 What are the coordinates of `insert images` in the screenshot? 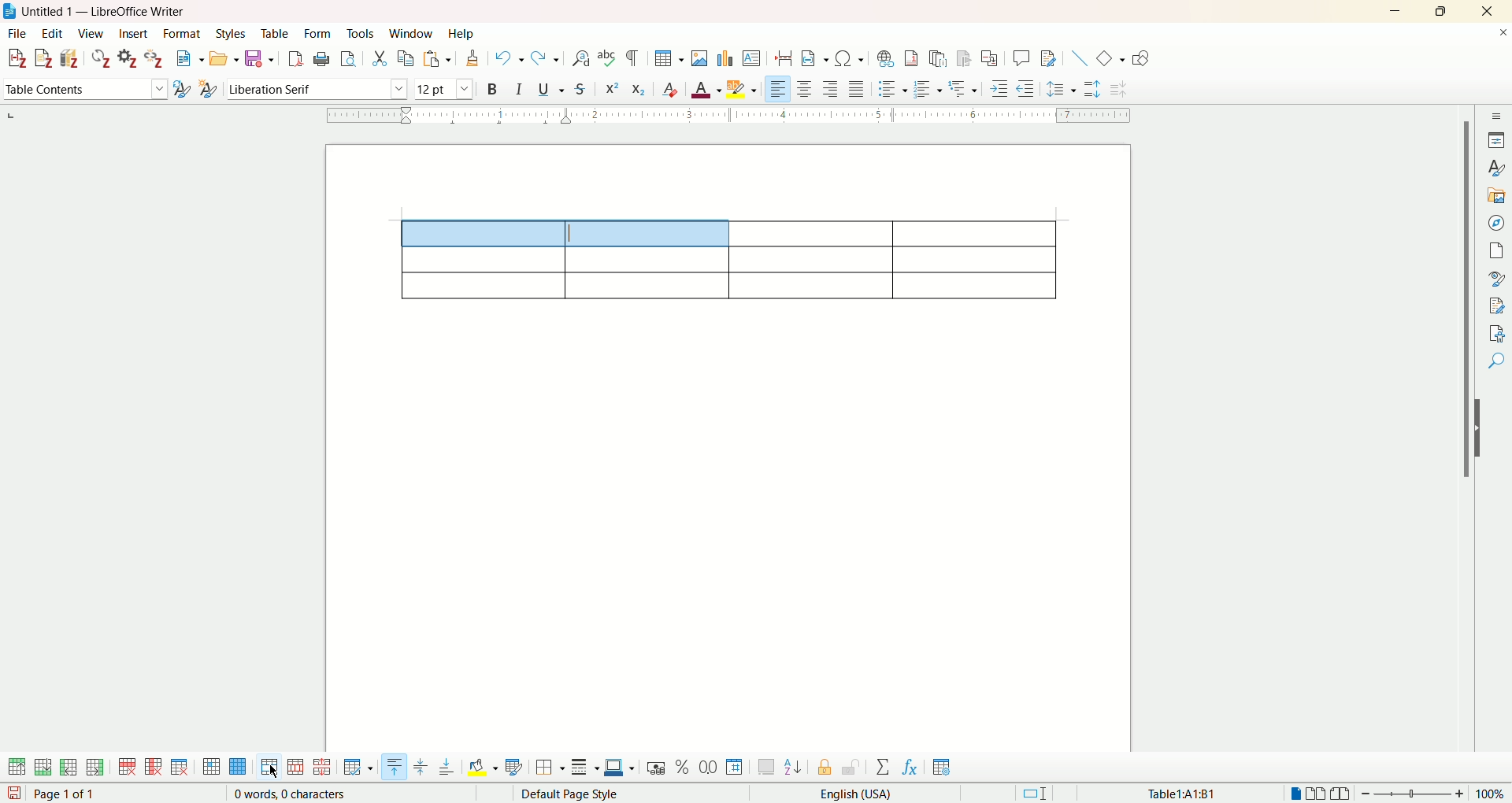 It's located at (699, 57).